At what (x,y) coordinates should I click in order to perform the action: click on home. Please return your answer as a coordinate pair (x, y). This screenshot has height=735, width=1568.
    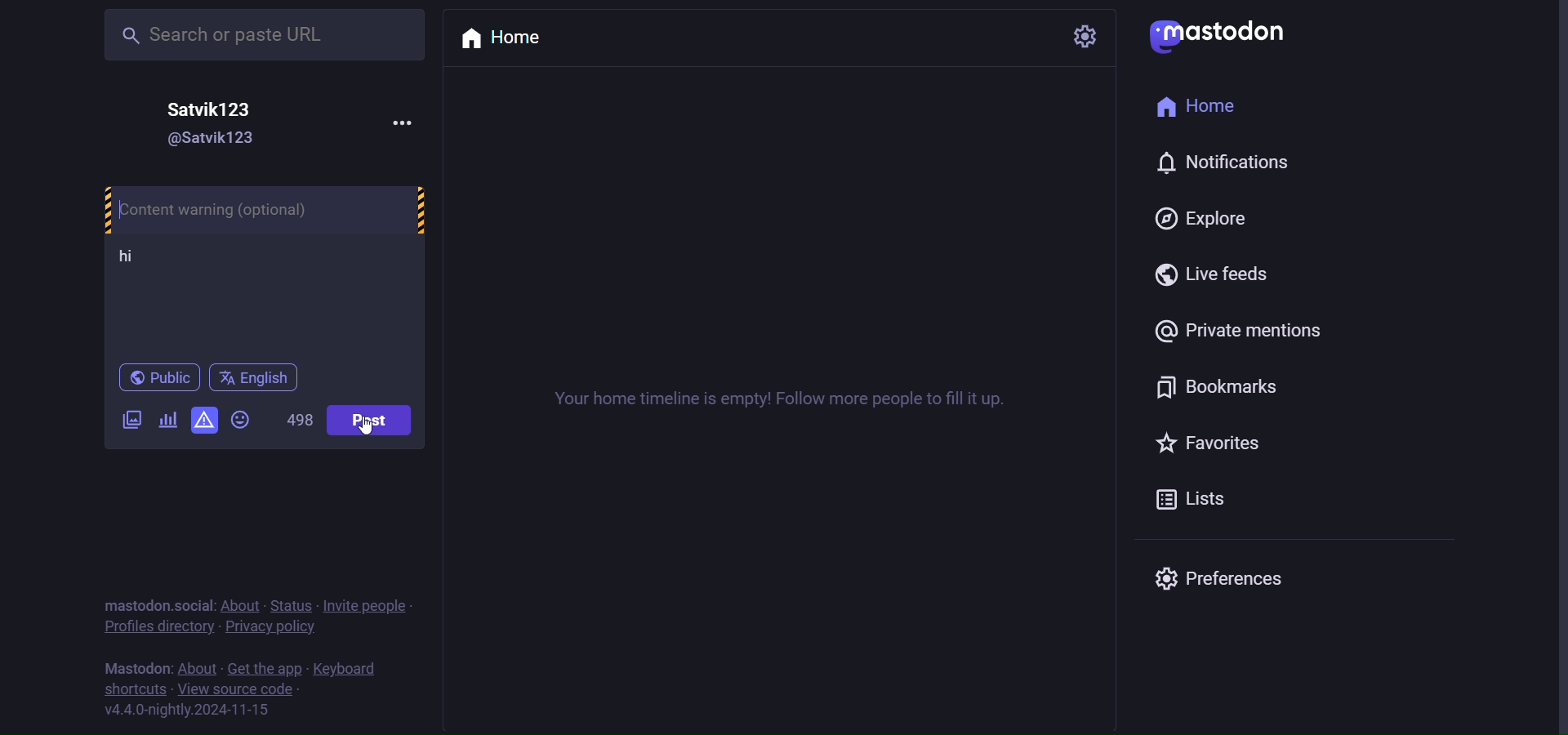
    Looking at the image, I should click on (512, 38).